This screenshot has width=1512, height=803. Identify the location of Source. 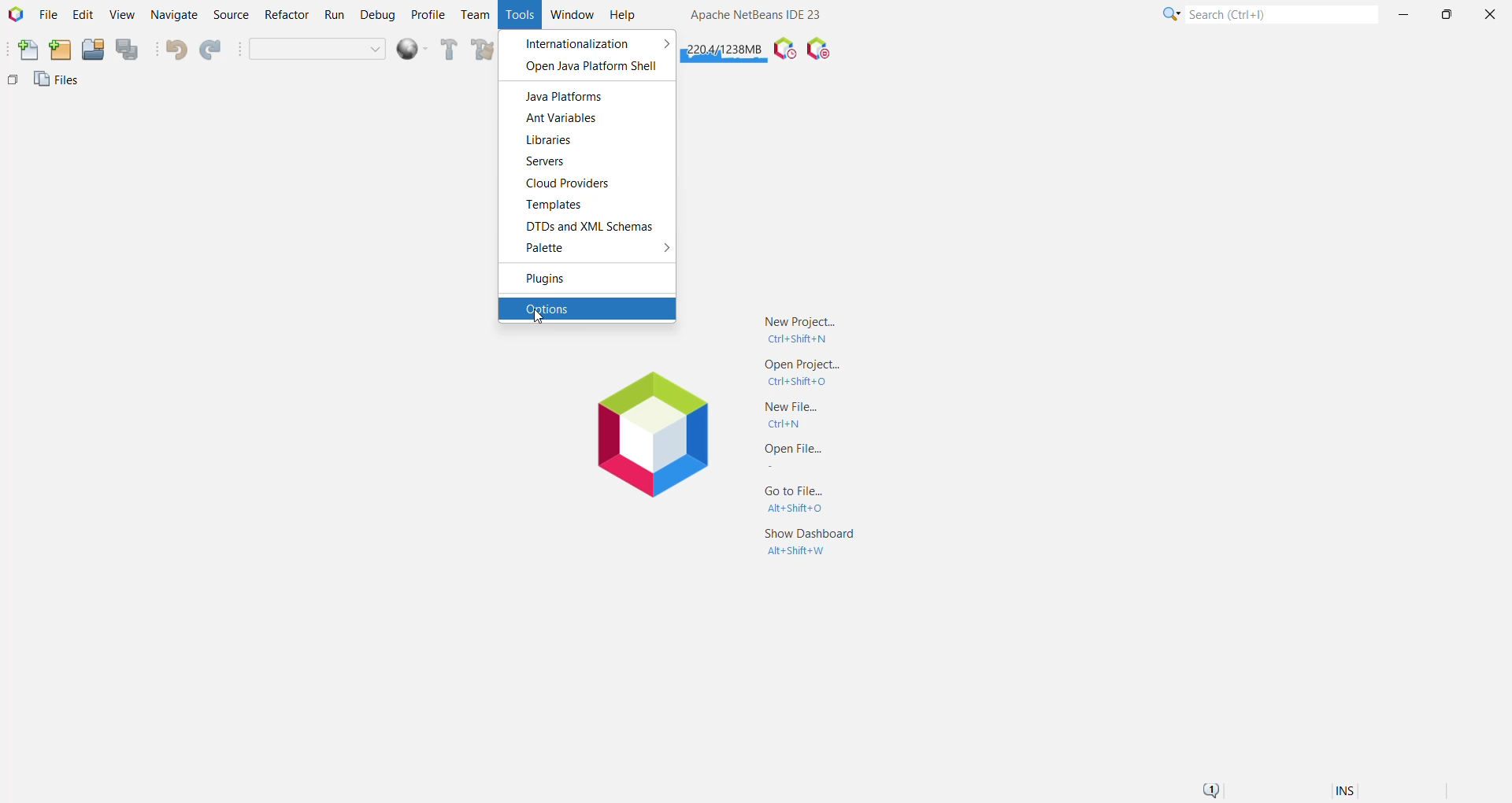
(233, 15).